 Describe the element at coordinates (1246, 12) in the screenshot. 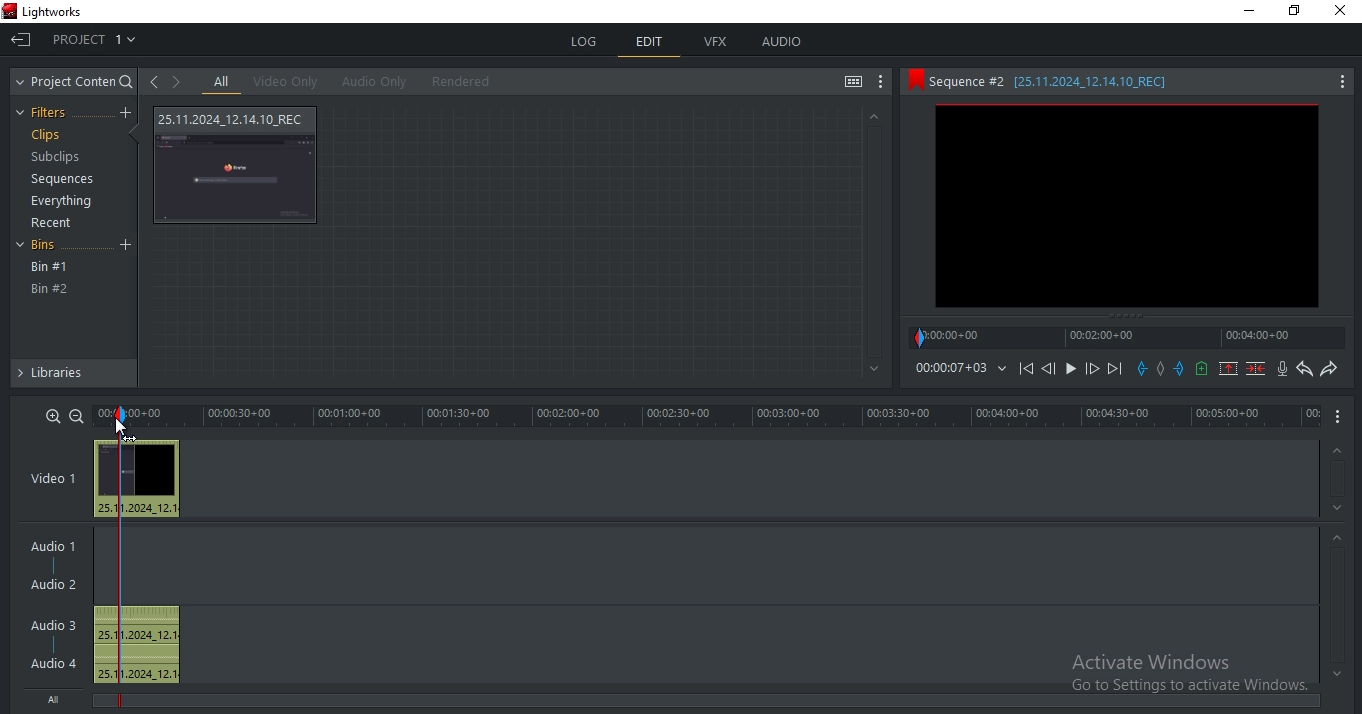

I see `Minimize` at that location.